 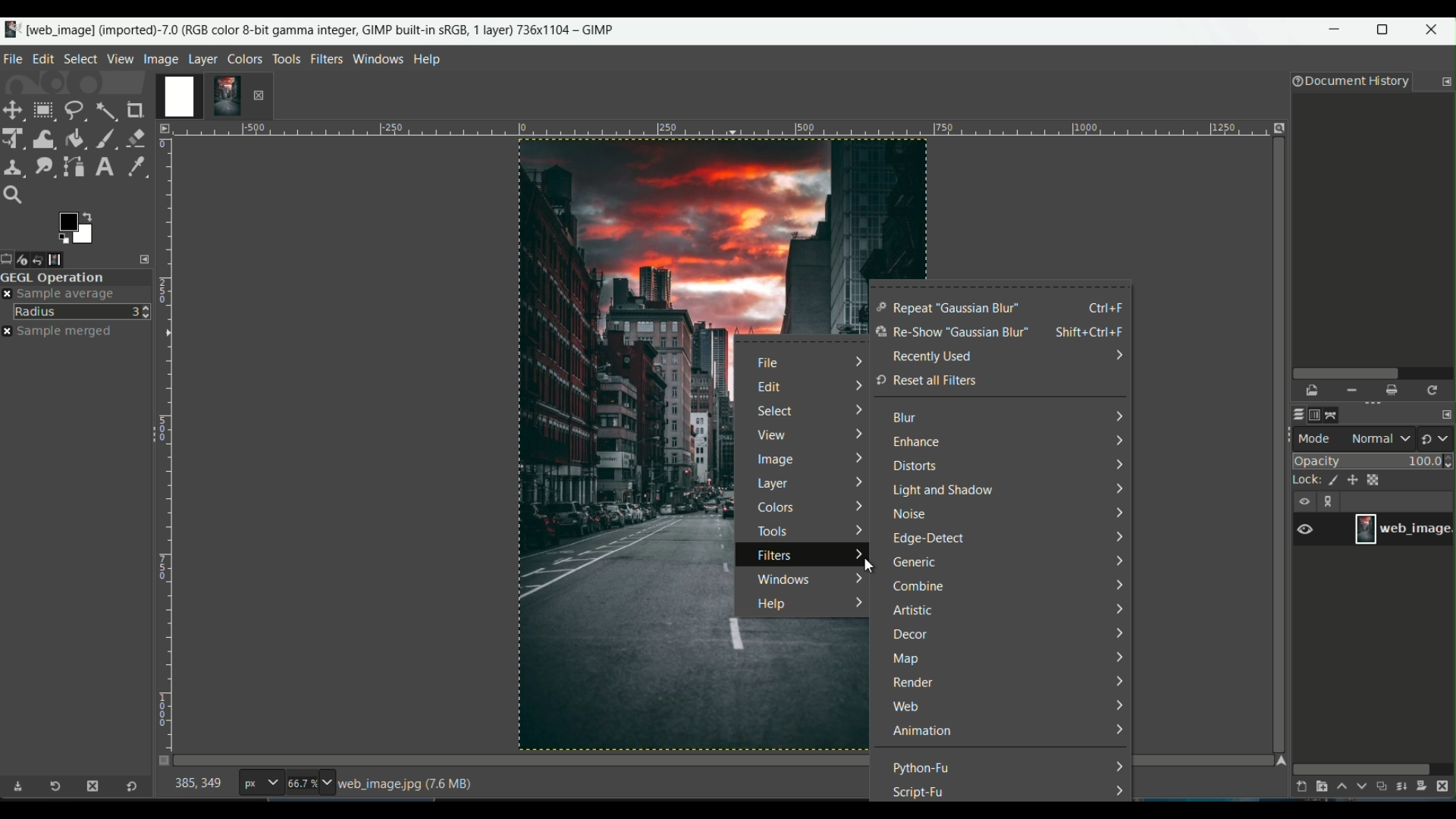 I want to click on images, so click(x=66, y=259).